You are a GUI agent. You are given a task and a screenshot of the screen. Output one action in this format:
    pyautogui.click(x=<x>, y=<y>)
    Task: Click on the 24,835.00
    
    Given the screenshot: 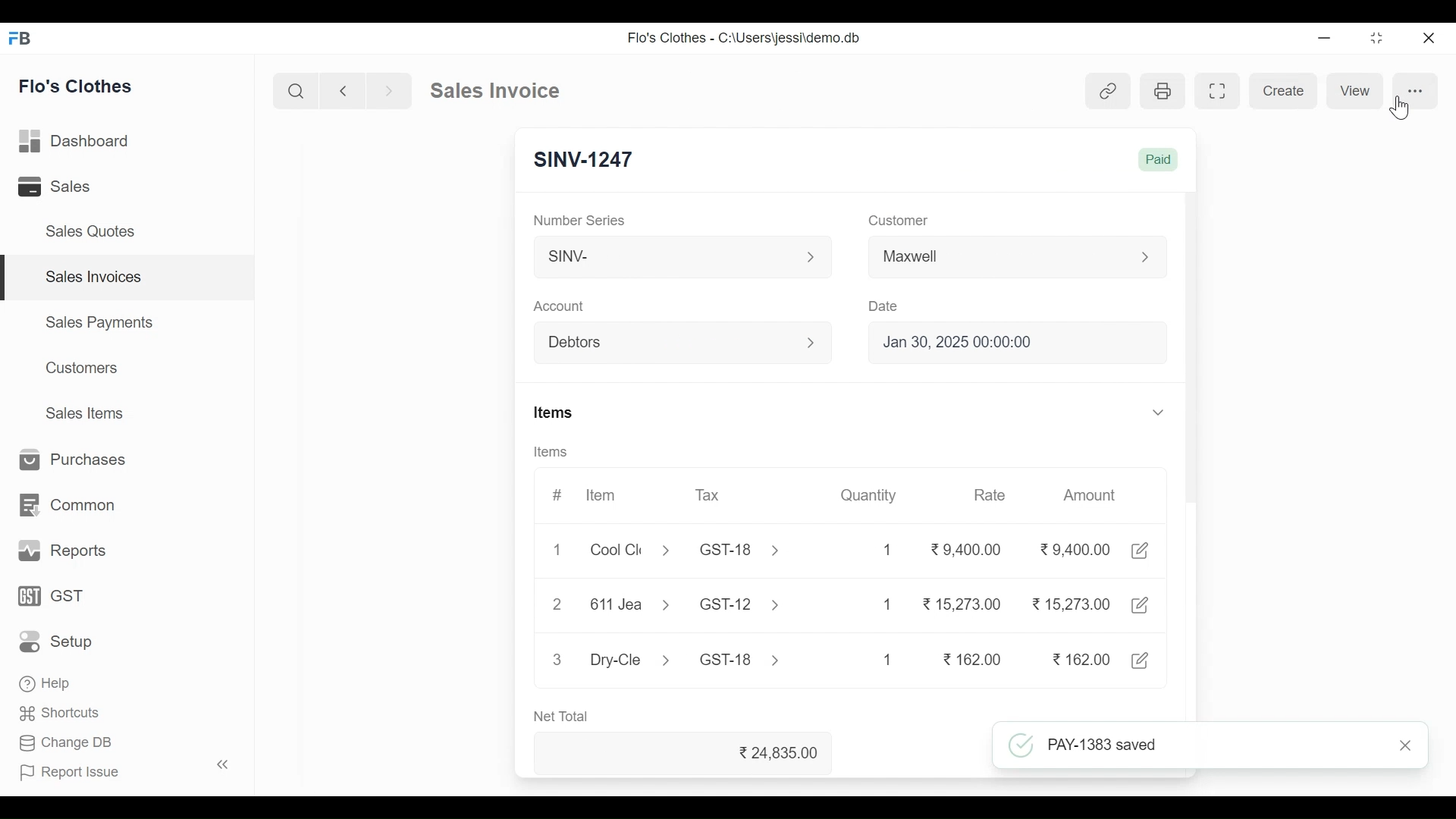 What is the action you would take?
    pyautogui.click(x=783, y=753)
    